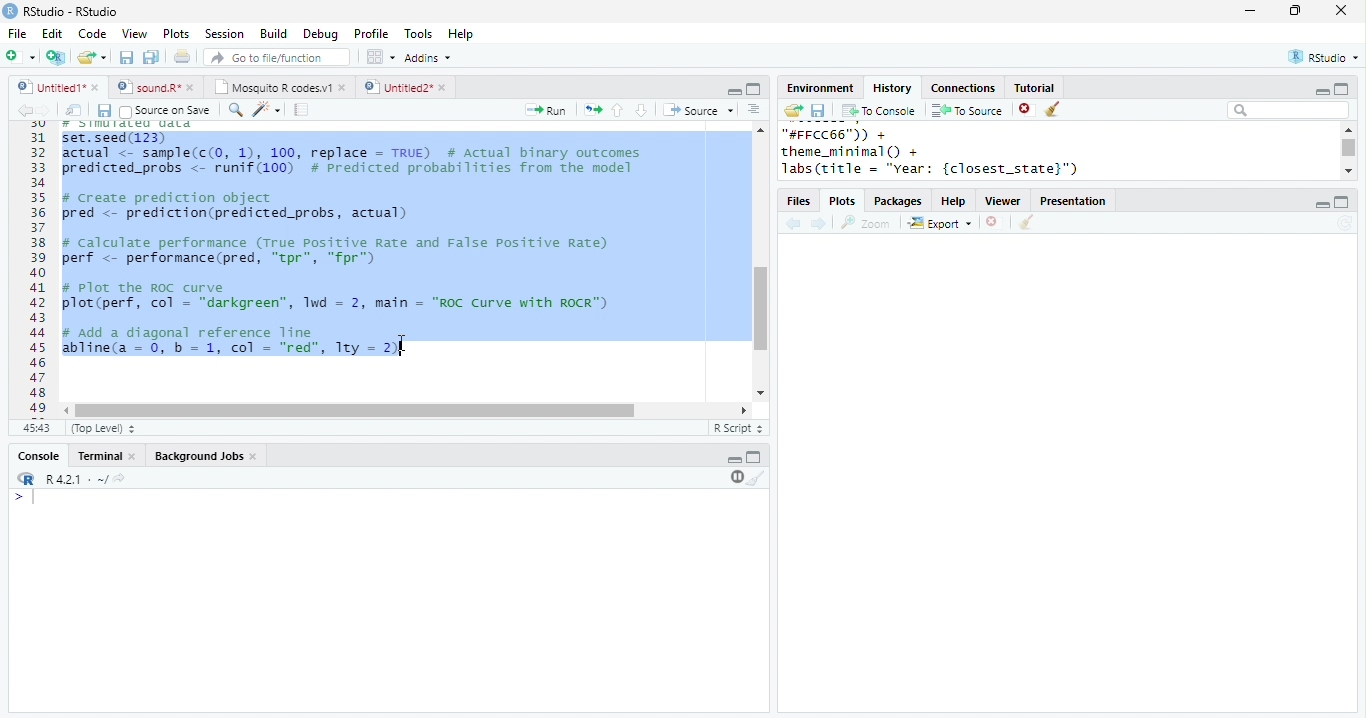  I want to click on Profile, so click(371, 33).